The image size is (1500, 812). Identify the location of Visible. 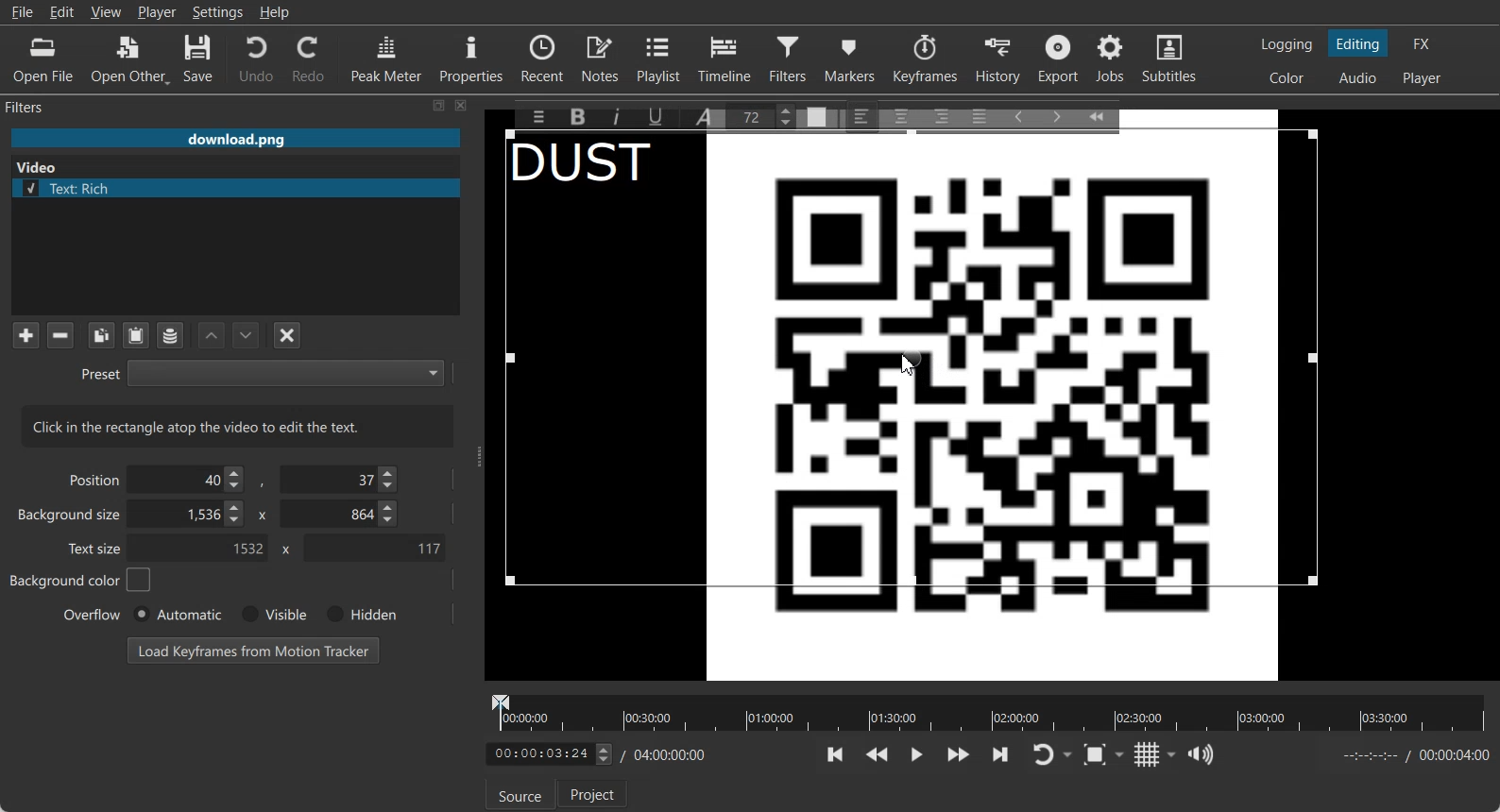
(272, 615).